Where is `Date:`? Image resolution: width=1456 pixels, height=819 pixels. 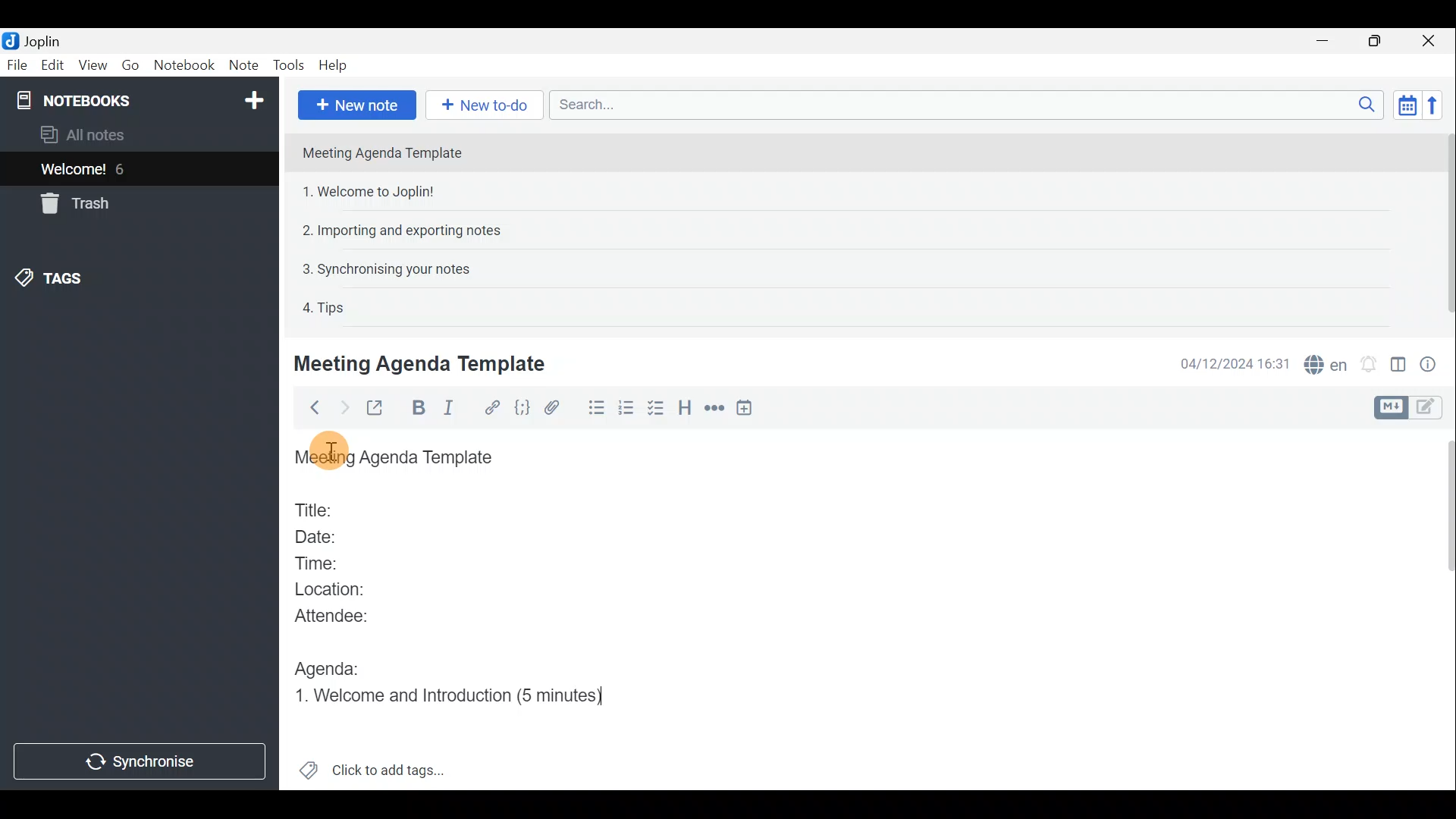
Date: is located at coordinates (328, 535).